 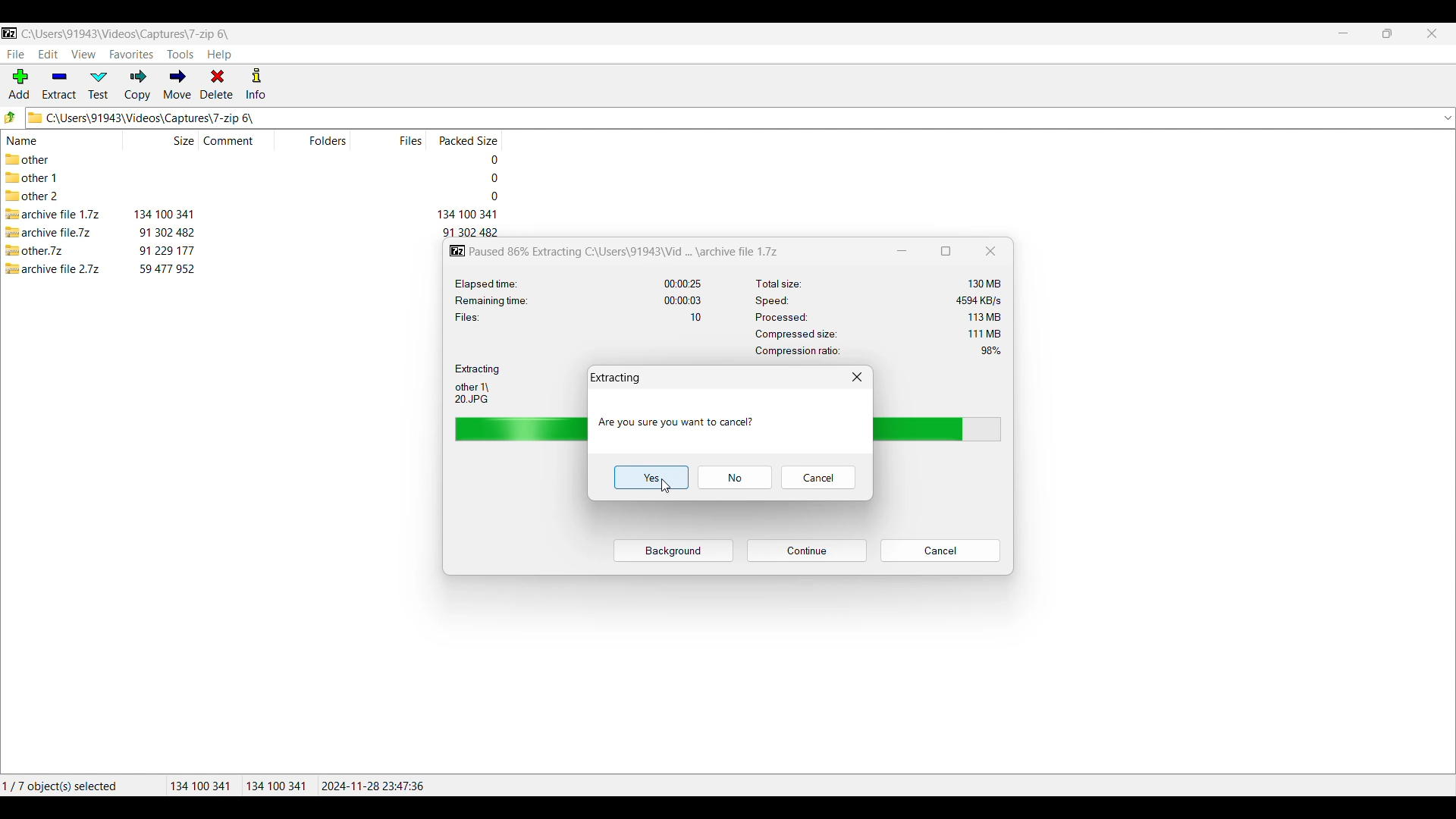 I want to click on Extracting, so click(x=617, y=378).